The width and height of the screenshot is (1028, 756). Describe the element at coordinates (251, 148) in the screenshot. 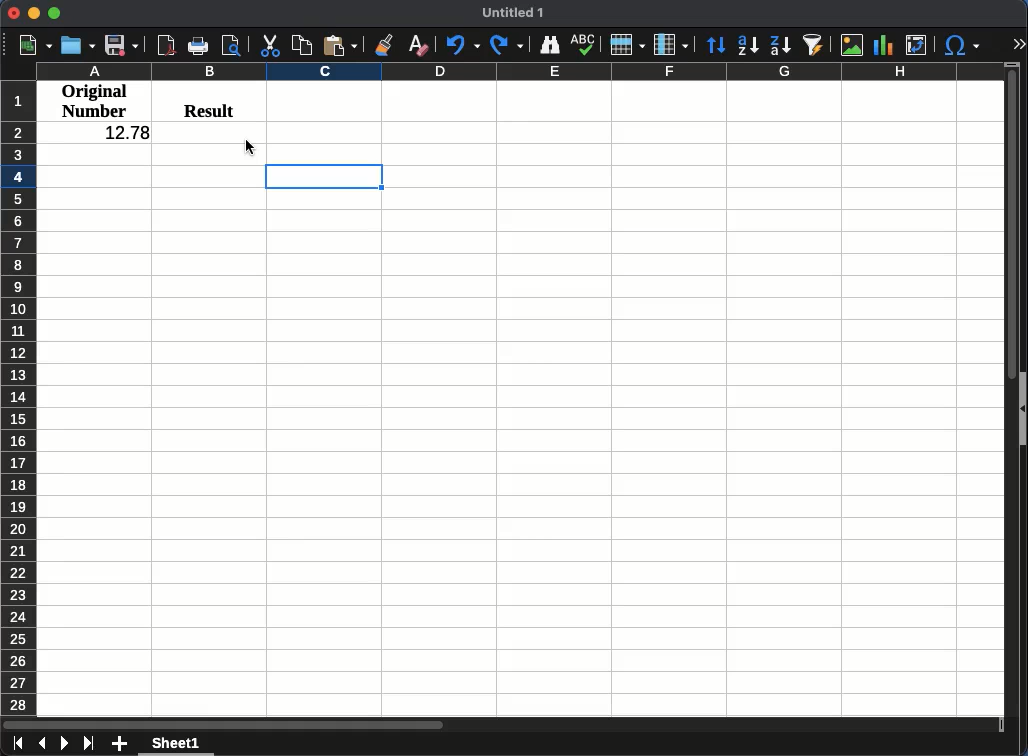

I see `cursor` at that location.